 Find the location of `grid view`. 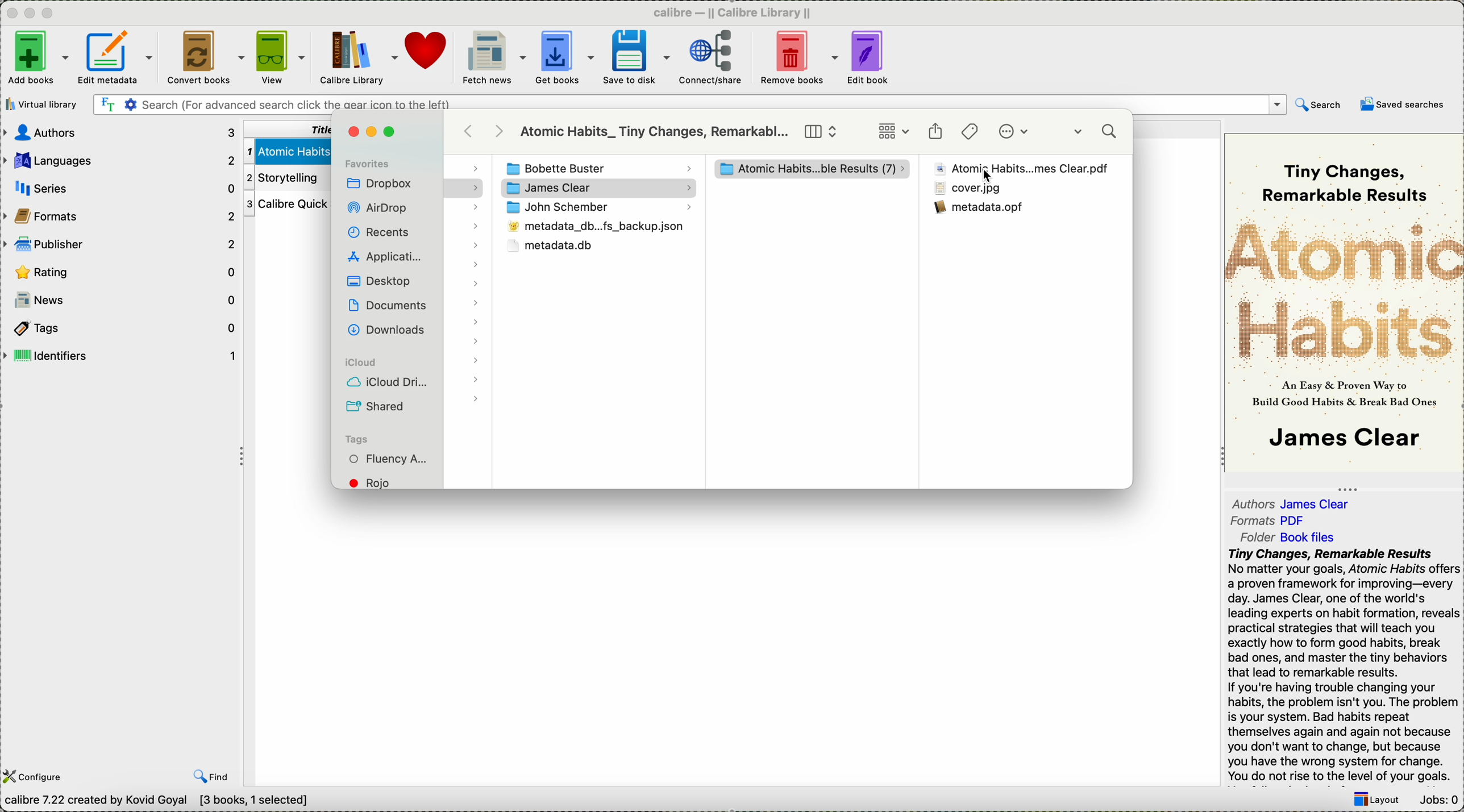

grid view is located at coordinates (893, 132).